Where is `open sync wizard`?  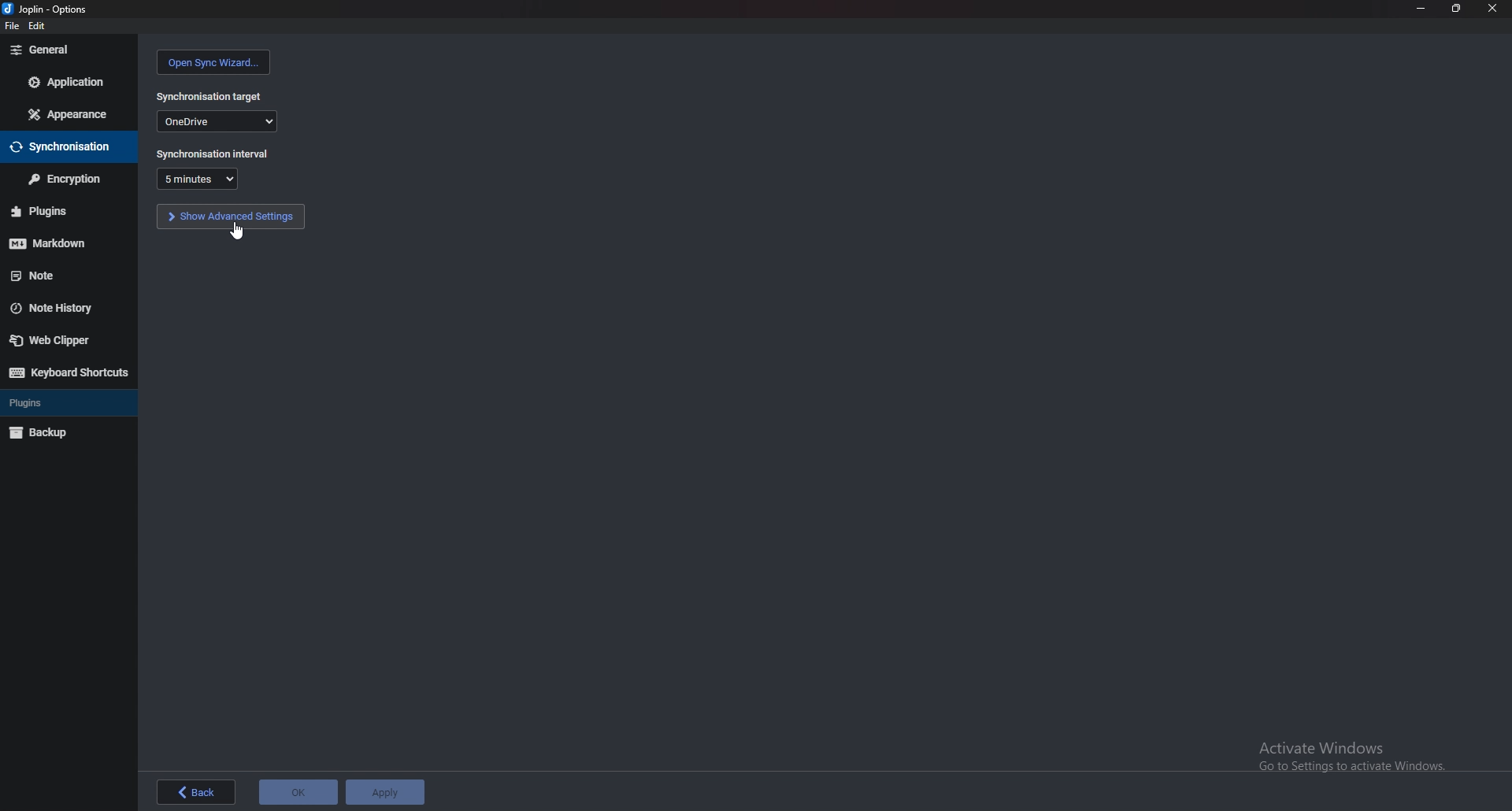 open sync wizard is located at coordinates (212, 62).